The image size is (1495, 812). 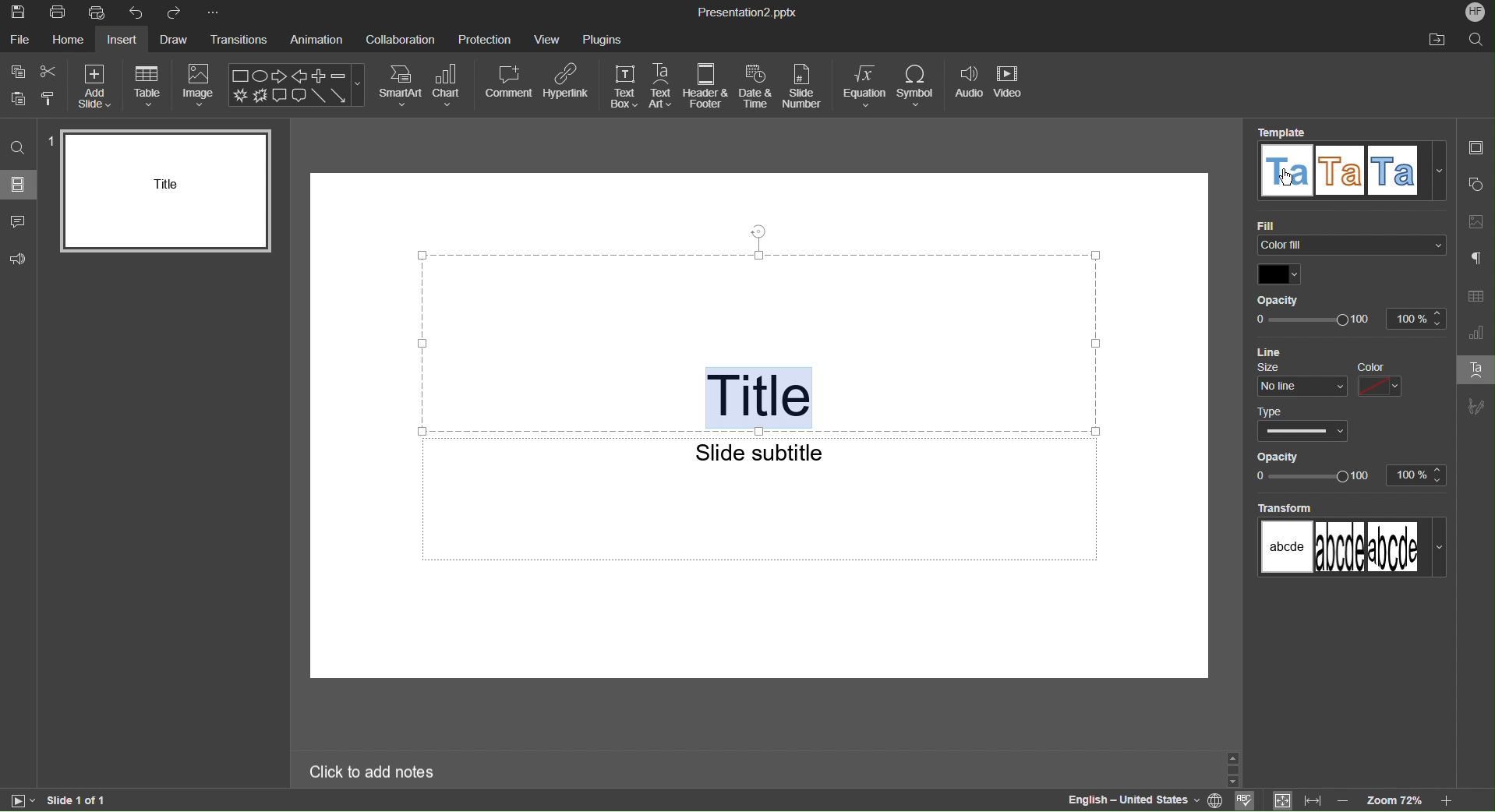 I want to click on Animation, so click(x=314, y=40).